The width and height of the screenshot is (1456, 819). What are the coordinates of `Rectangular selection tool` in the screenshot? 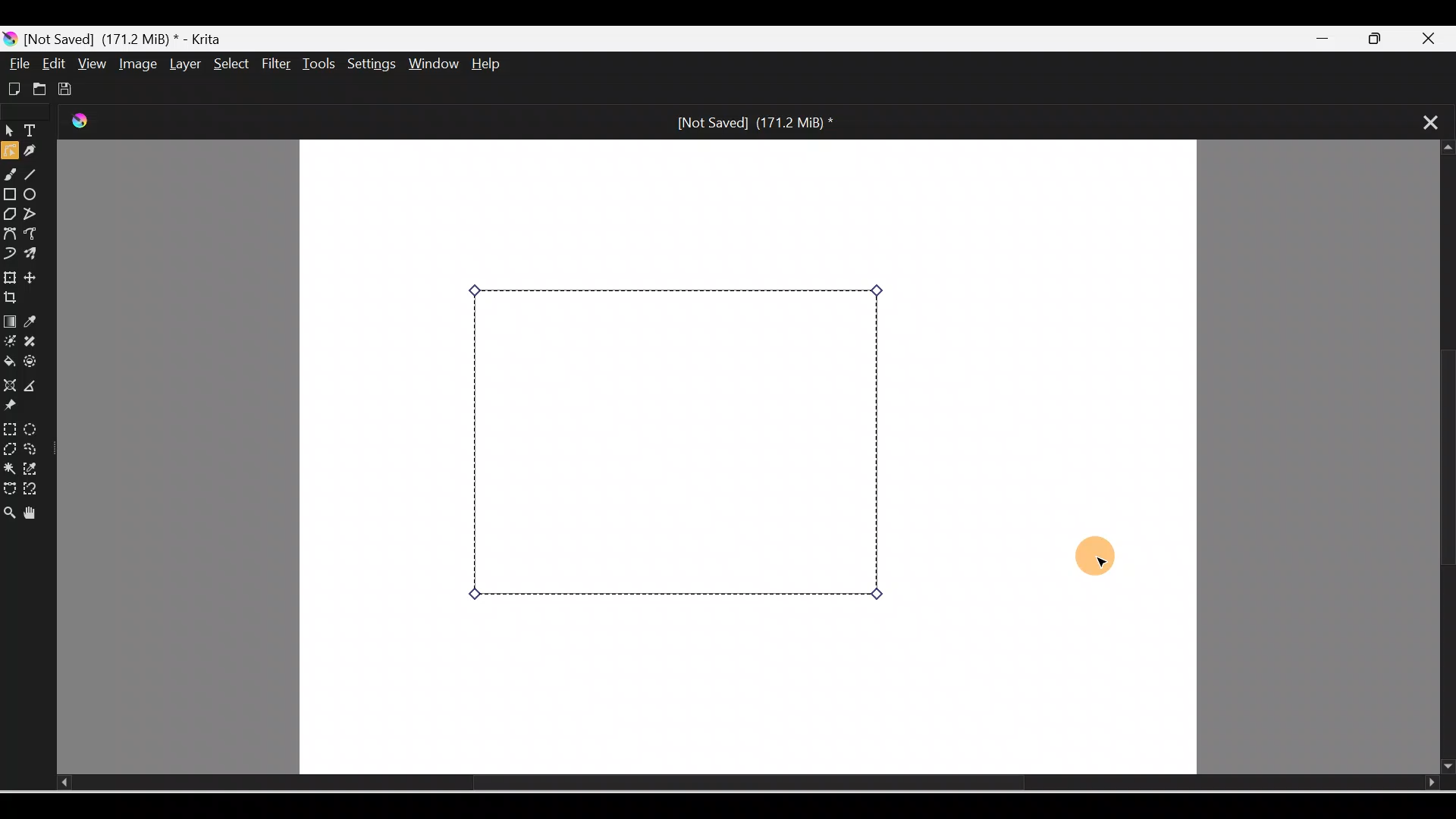 It's located at (9, 426).